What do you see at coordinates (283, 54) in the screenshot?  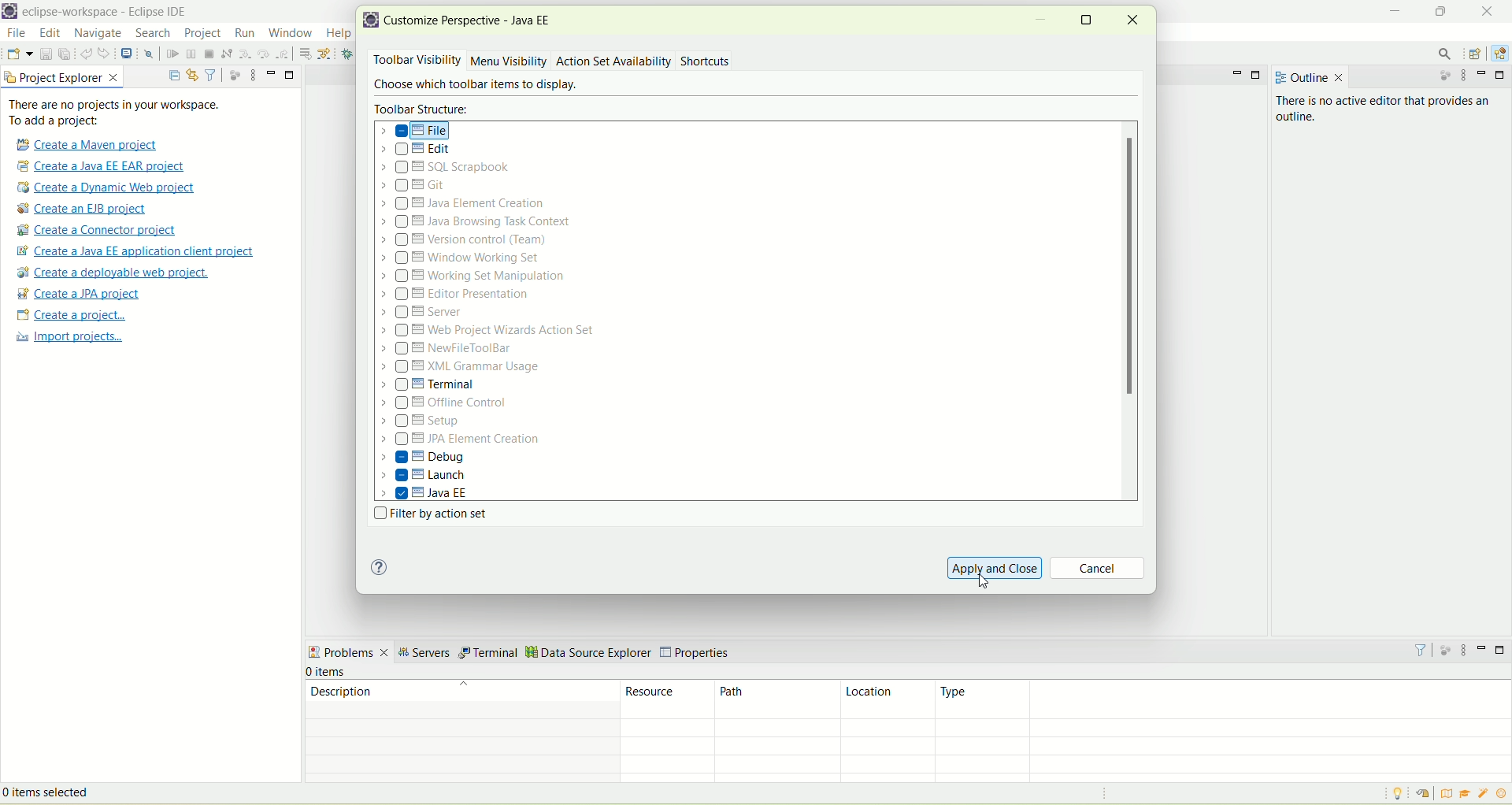 I see `step return` at bounding box center [283, 54].